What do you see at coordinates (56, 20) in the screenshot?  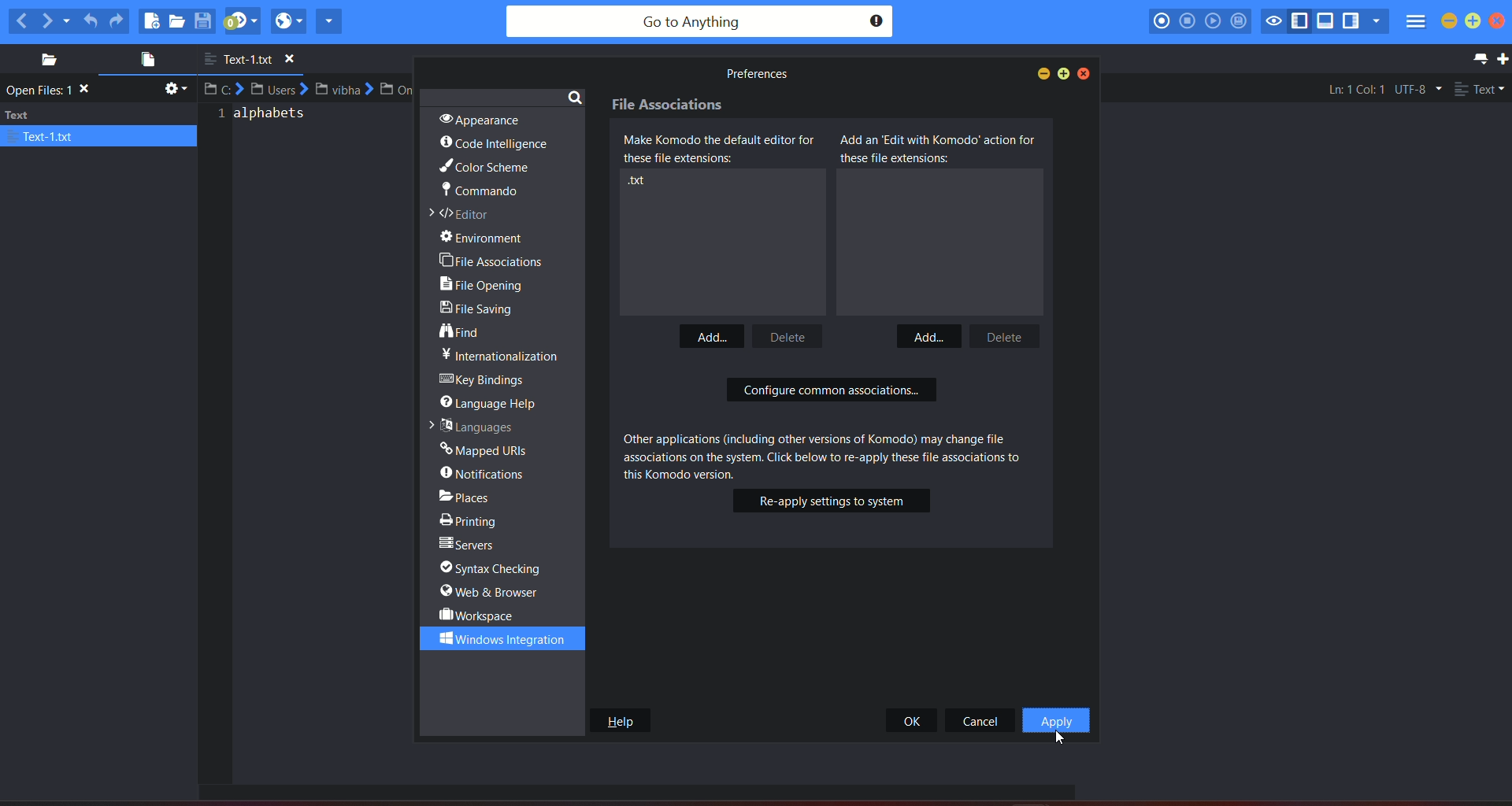 I see `next` at bounding box center [56, 20].